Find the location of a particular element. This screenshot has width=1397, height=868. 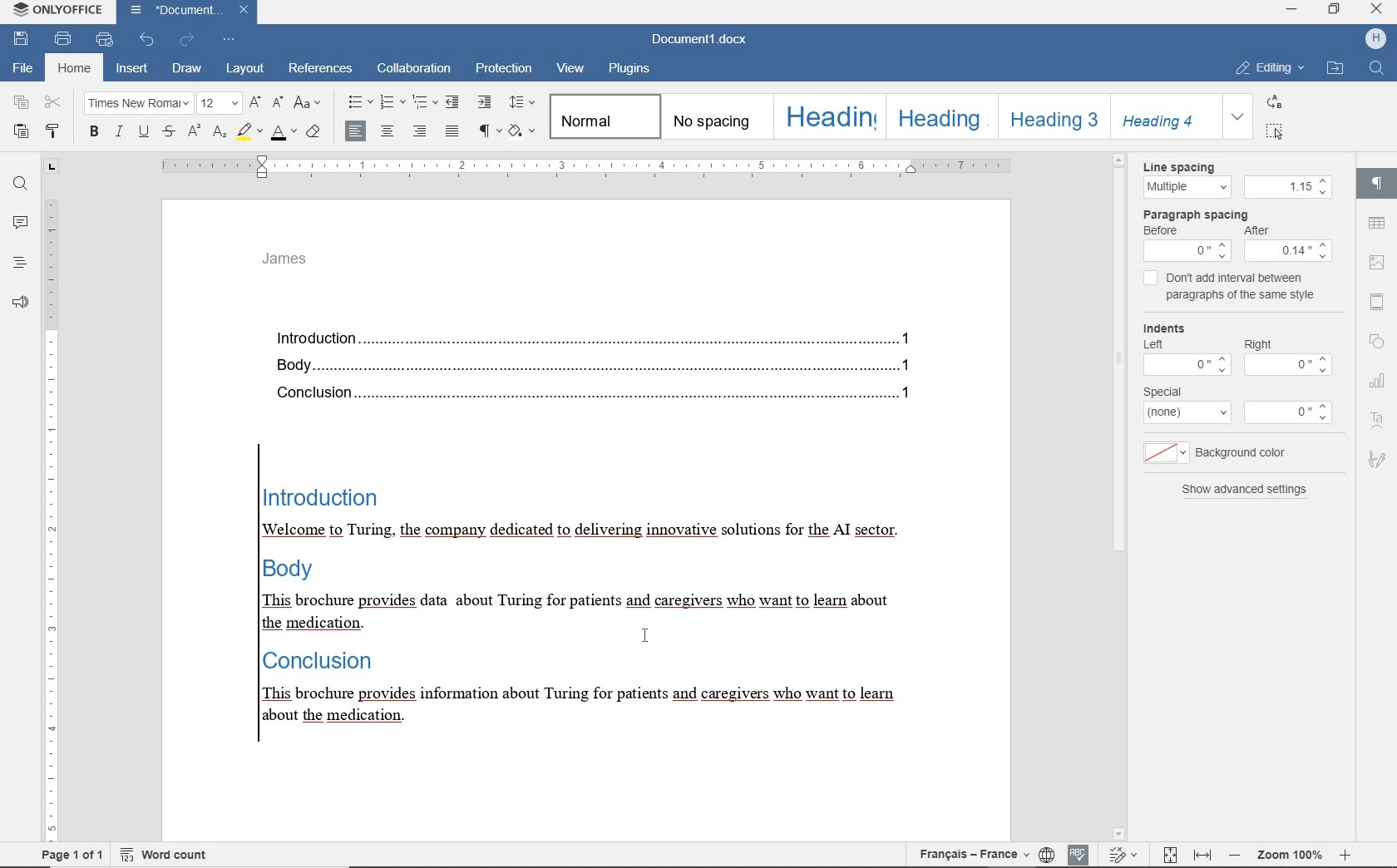

highlight color is located at coordinates (250, 133).